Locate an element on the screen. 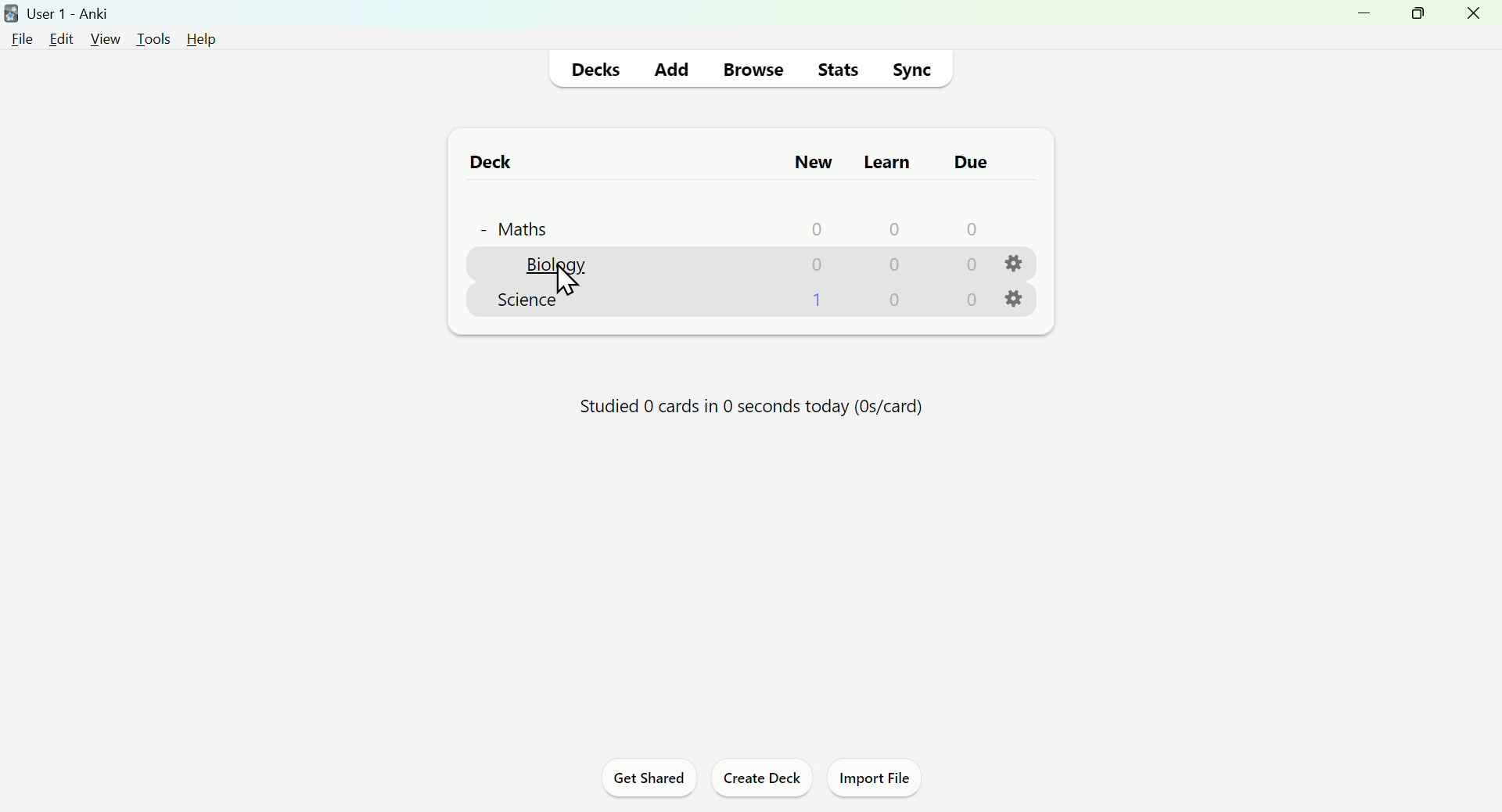 The width and height of the screenshot is (1502, 812). tools is located at coordinates (153, 39).